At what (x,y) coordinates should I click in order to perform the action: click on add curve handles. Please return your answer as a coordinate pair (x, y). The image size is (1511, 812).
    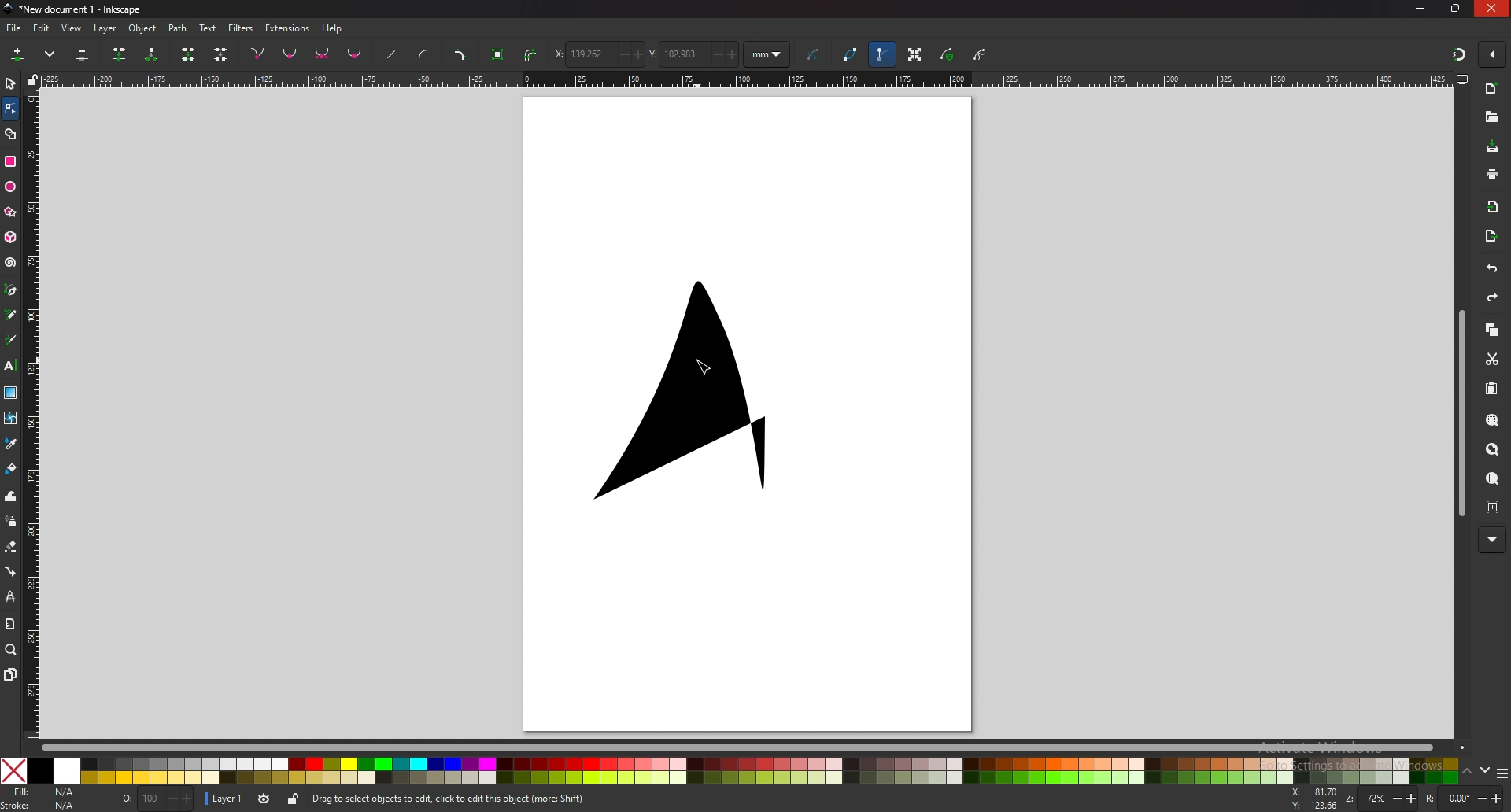
    Looking at the image, I should click on (425, 56).